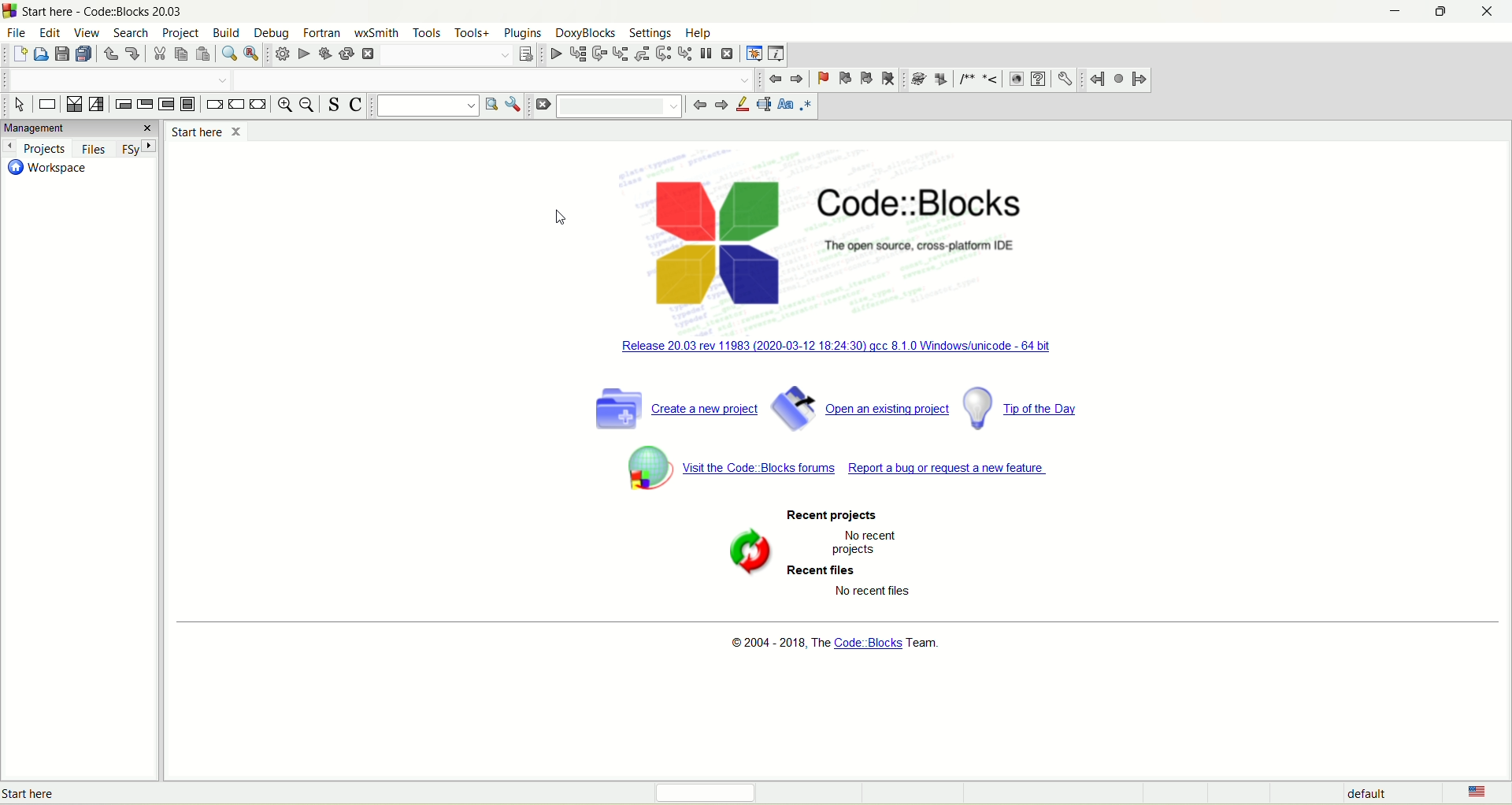  Describe the element at coordinates (270, 34) in the screenshot. I see `debug` at that location.